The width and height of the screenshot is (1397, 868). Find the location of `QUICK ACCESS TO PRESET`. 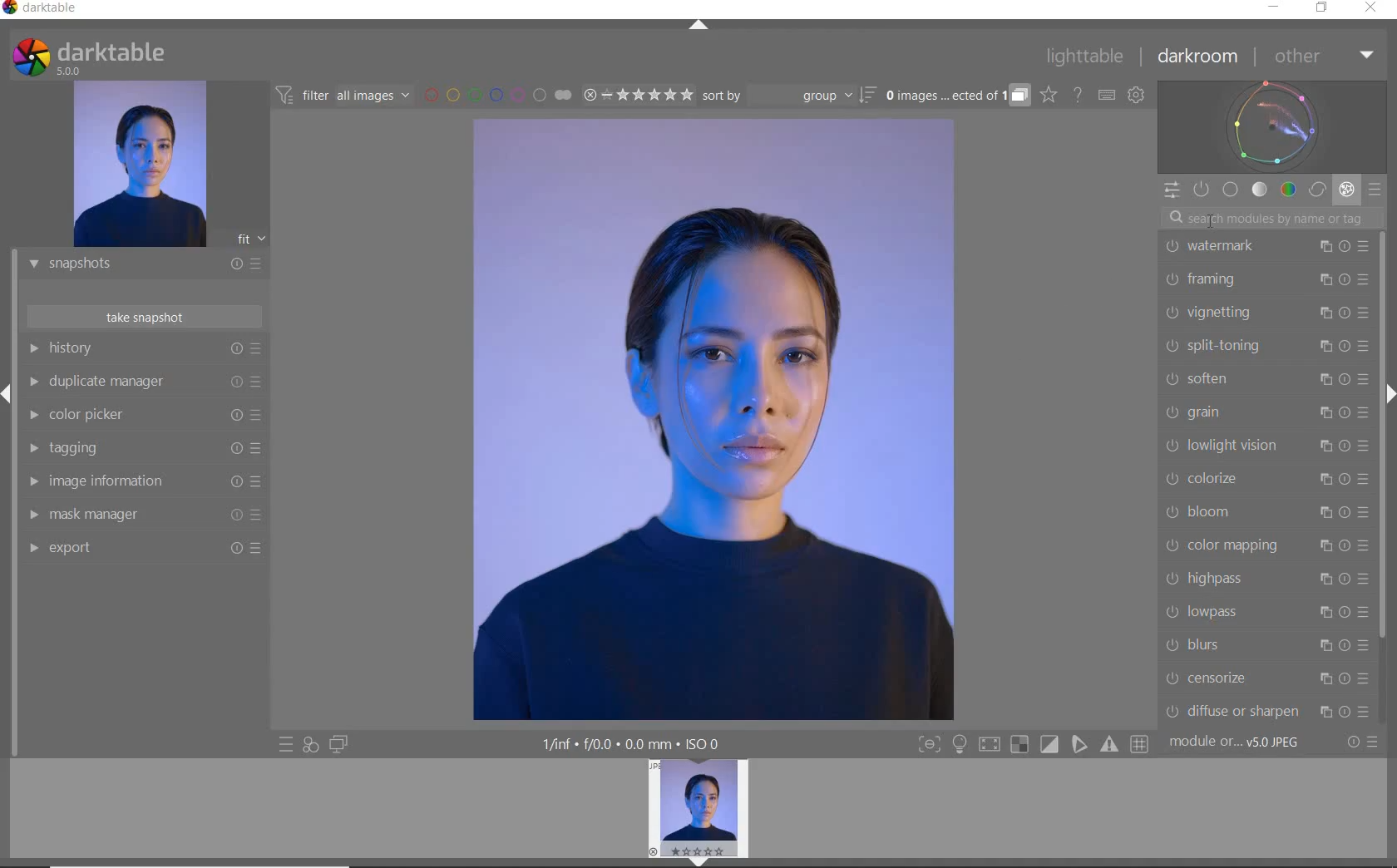

QUICK ACCESS TO PRESET is located at coordinates (287, 746).